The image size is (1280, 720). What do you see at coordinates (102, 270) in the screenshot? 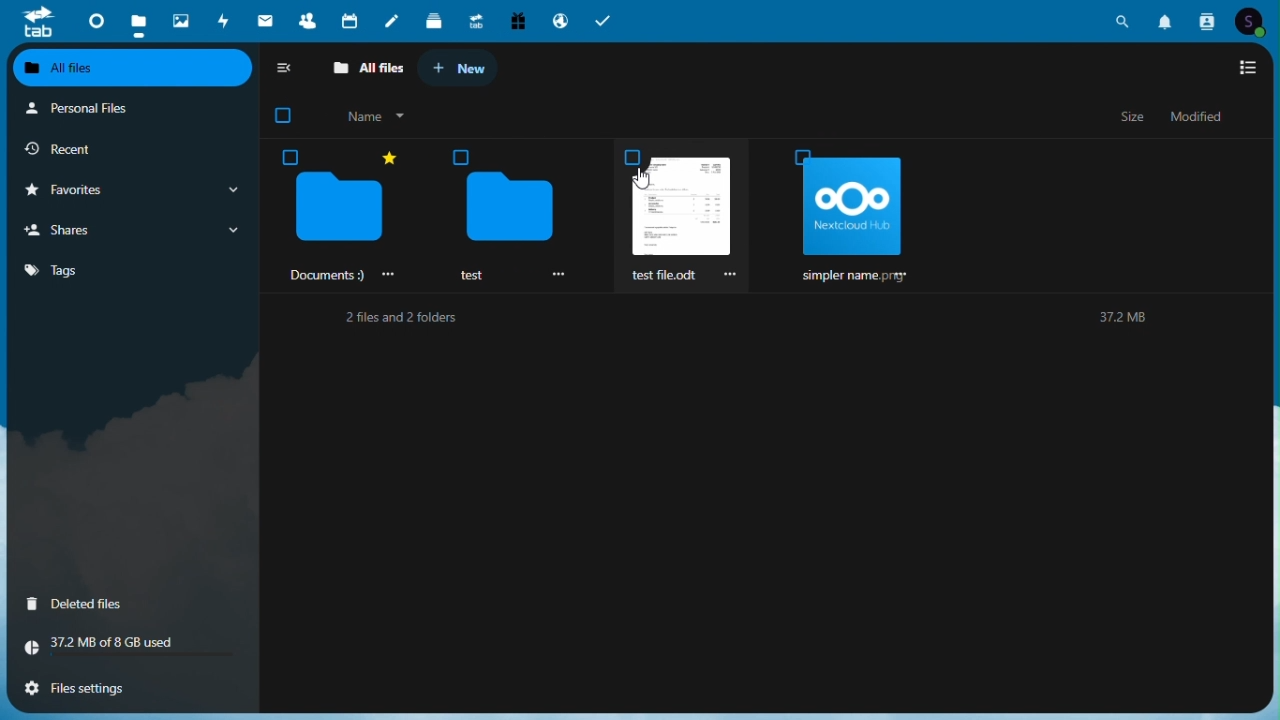
I see `Tag` at bounding box center [102, 270].